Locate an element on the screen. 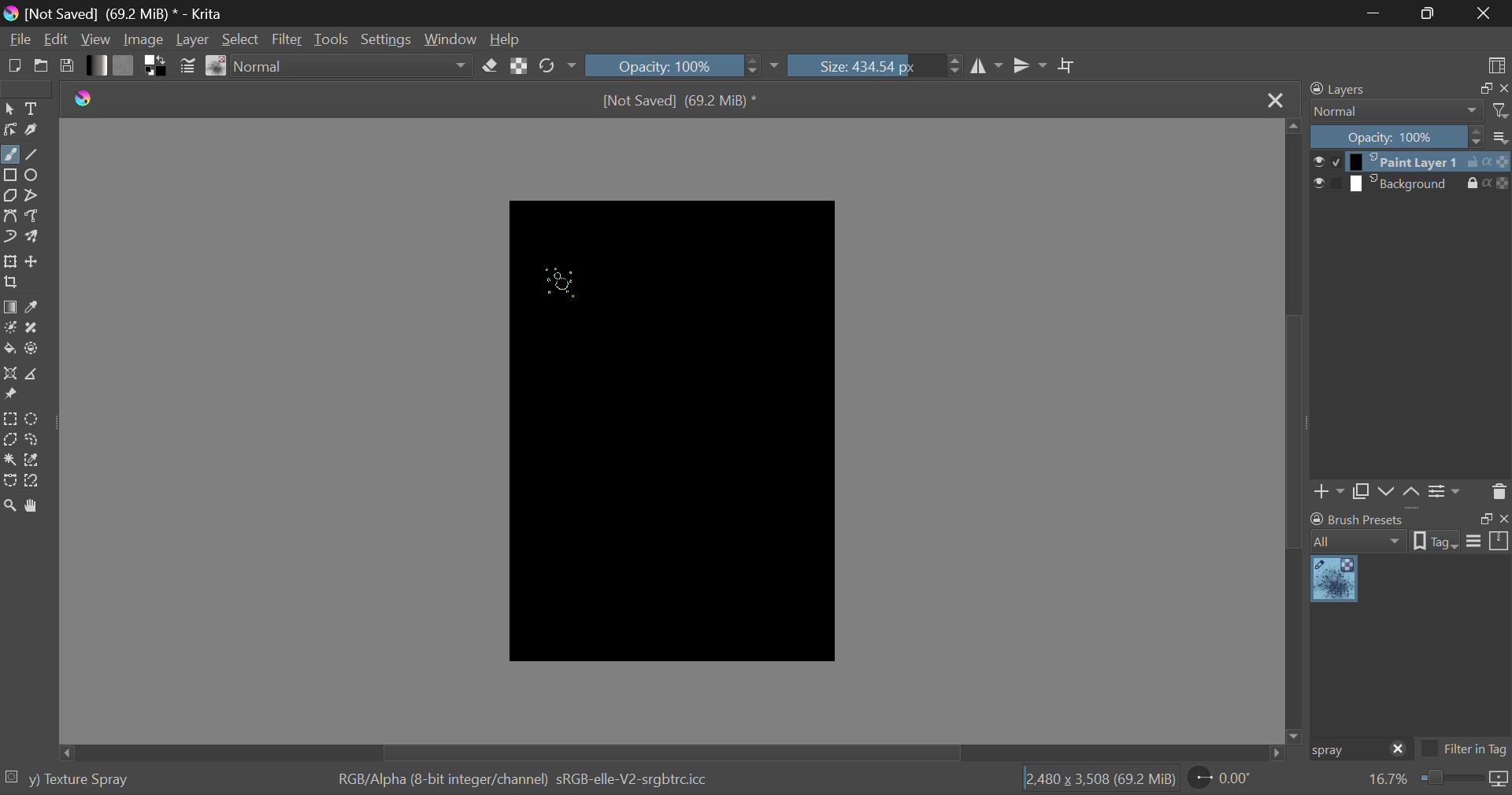 The image size is (1512, 795). Layer Movement up is located at coordinates (1412, 494).